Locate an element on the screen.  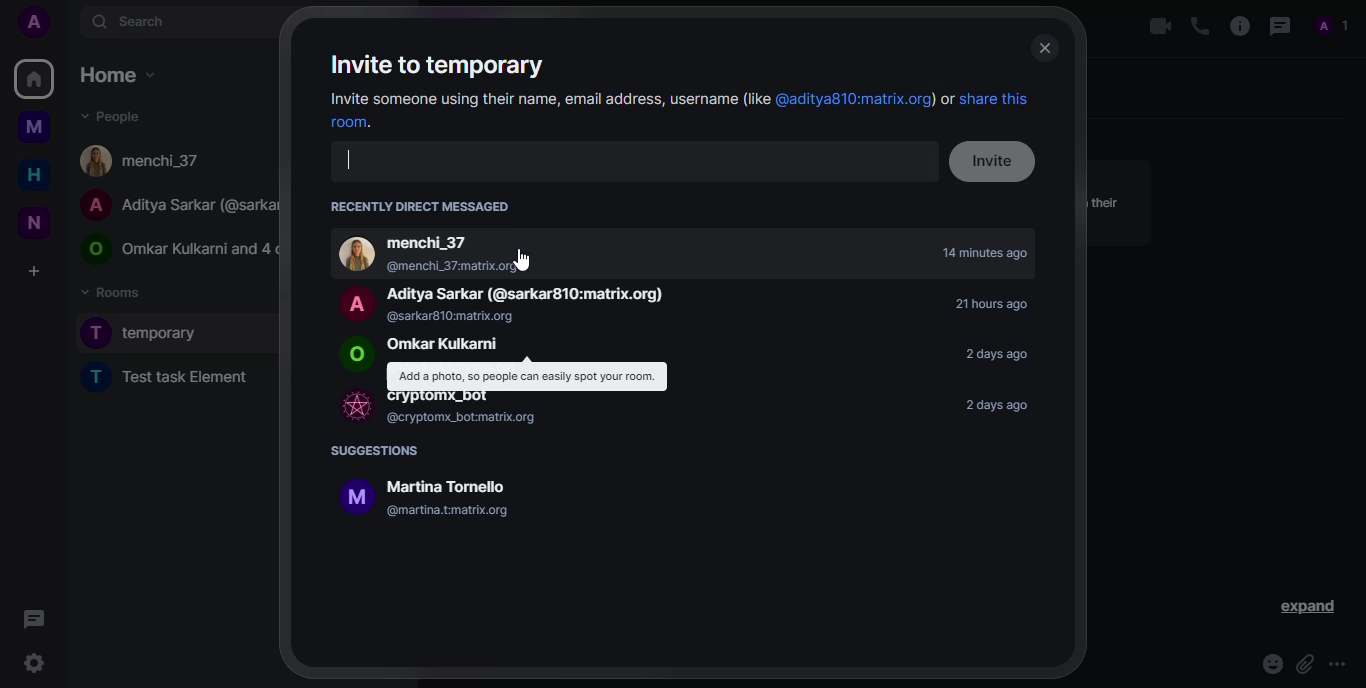
video call is located at coordinates (1150, 27).